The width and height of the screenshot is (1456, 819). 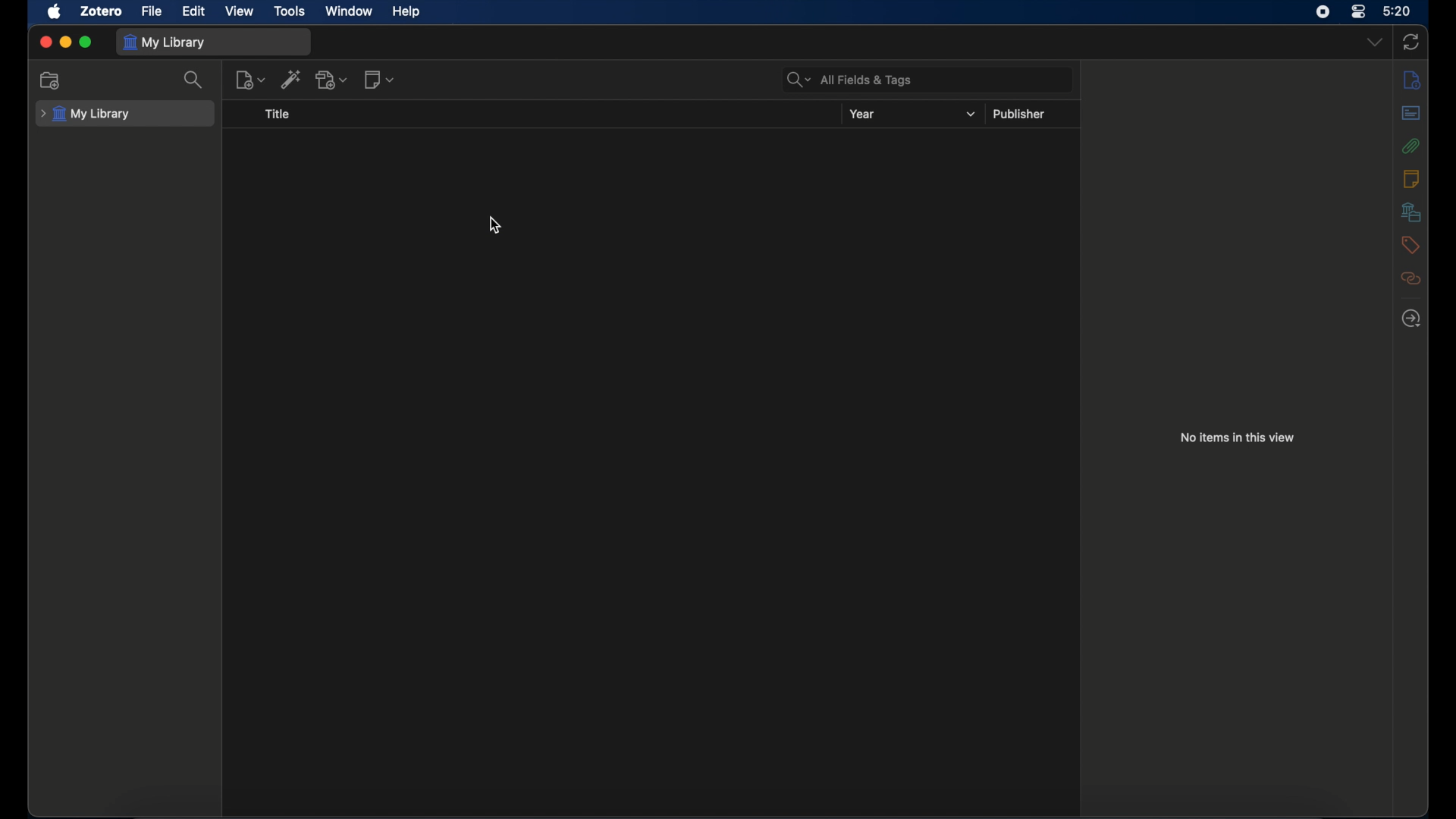 I want to click on add attachment, so click(x=332, y=80).